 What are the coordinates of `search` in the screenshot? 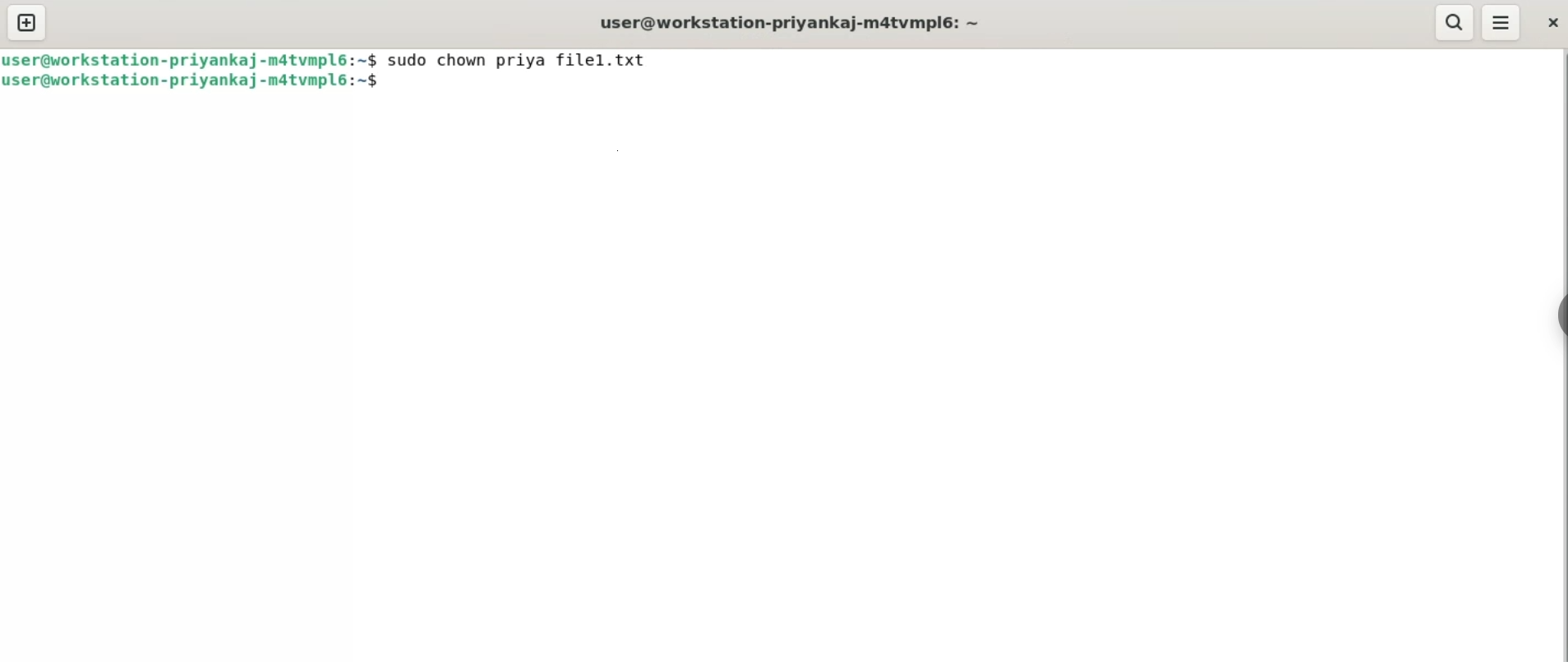 It's located at (1456, 23).